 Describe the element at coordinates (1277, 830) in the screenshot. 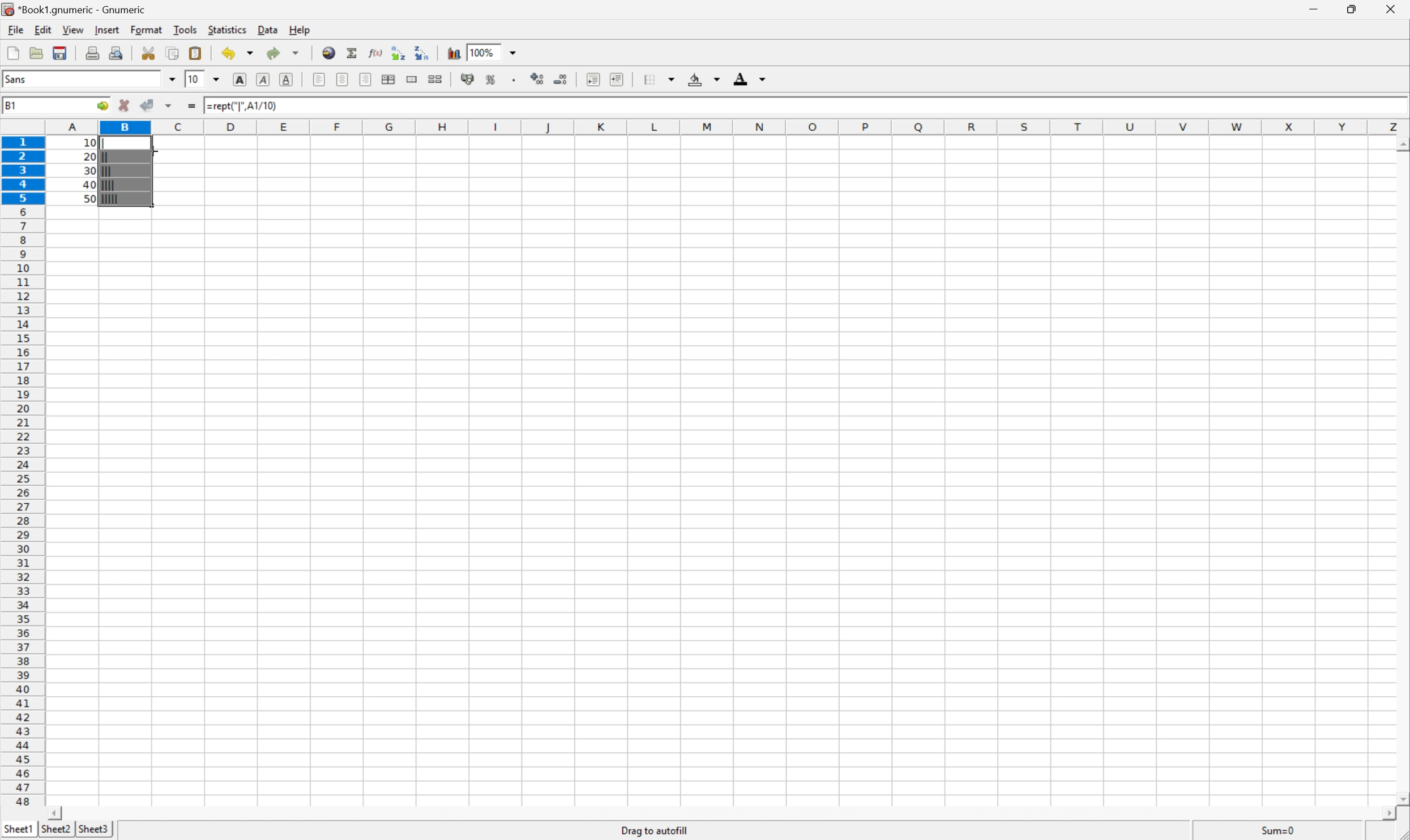

I see `Sum=10` at that location.